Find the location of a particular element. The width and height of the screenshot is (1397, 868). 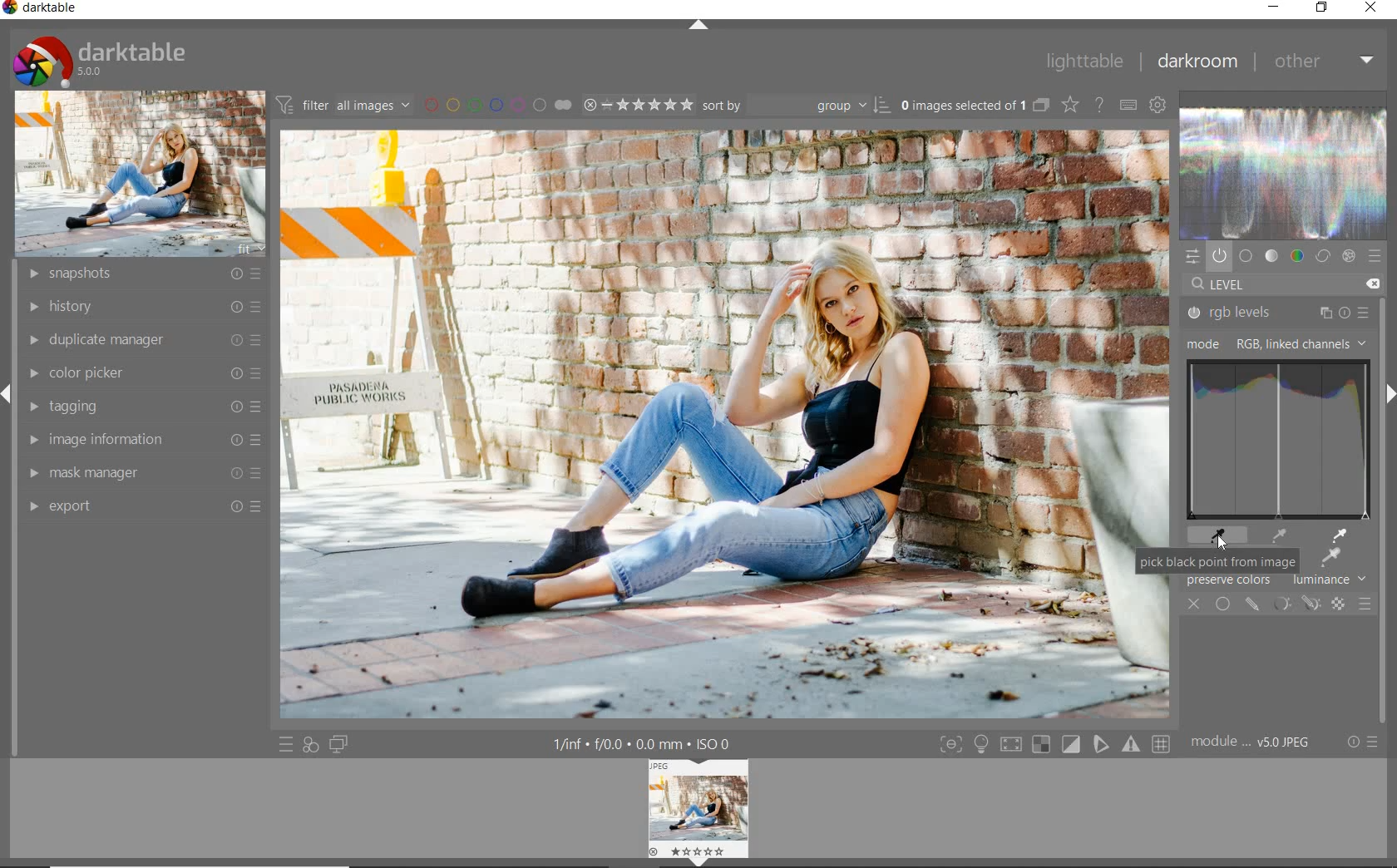

filter all images is located at coordinates (340, 104).